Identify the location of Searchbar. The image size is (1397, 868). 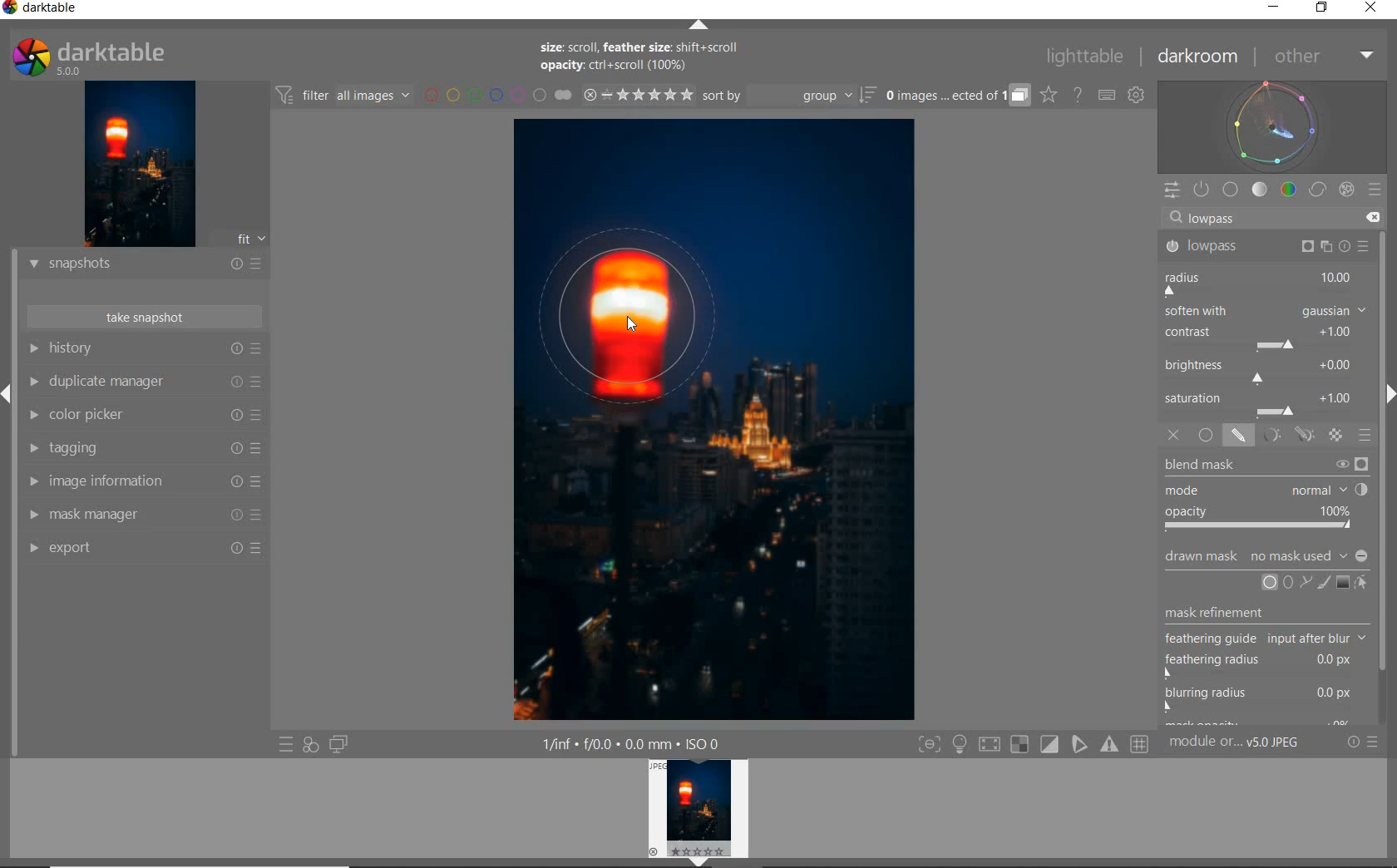
(1259, 217).